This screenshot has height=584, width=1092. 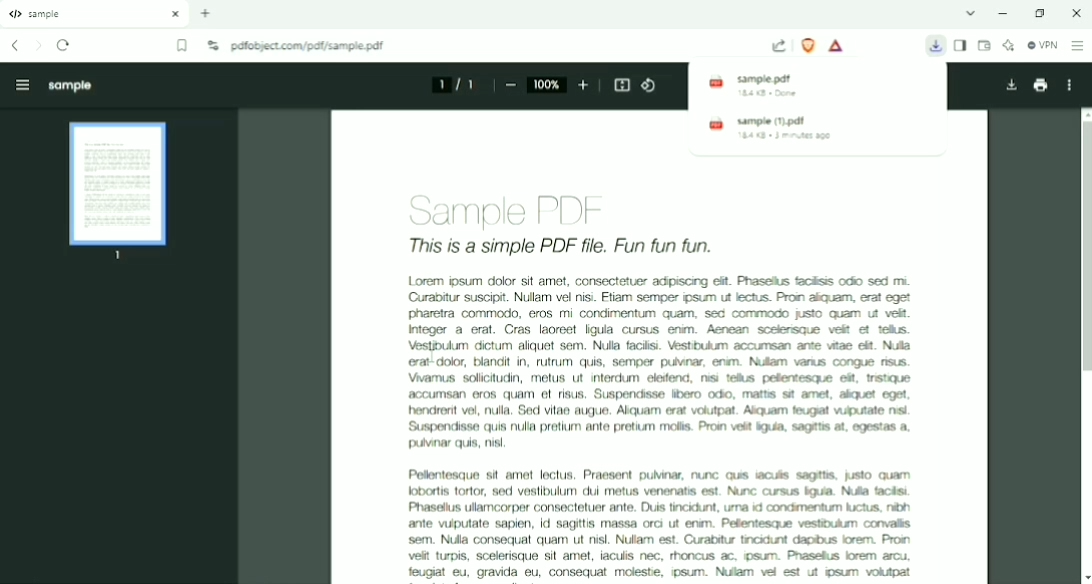 I want to click on Vertical scrollbar, so click(x=1080, y=247).